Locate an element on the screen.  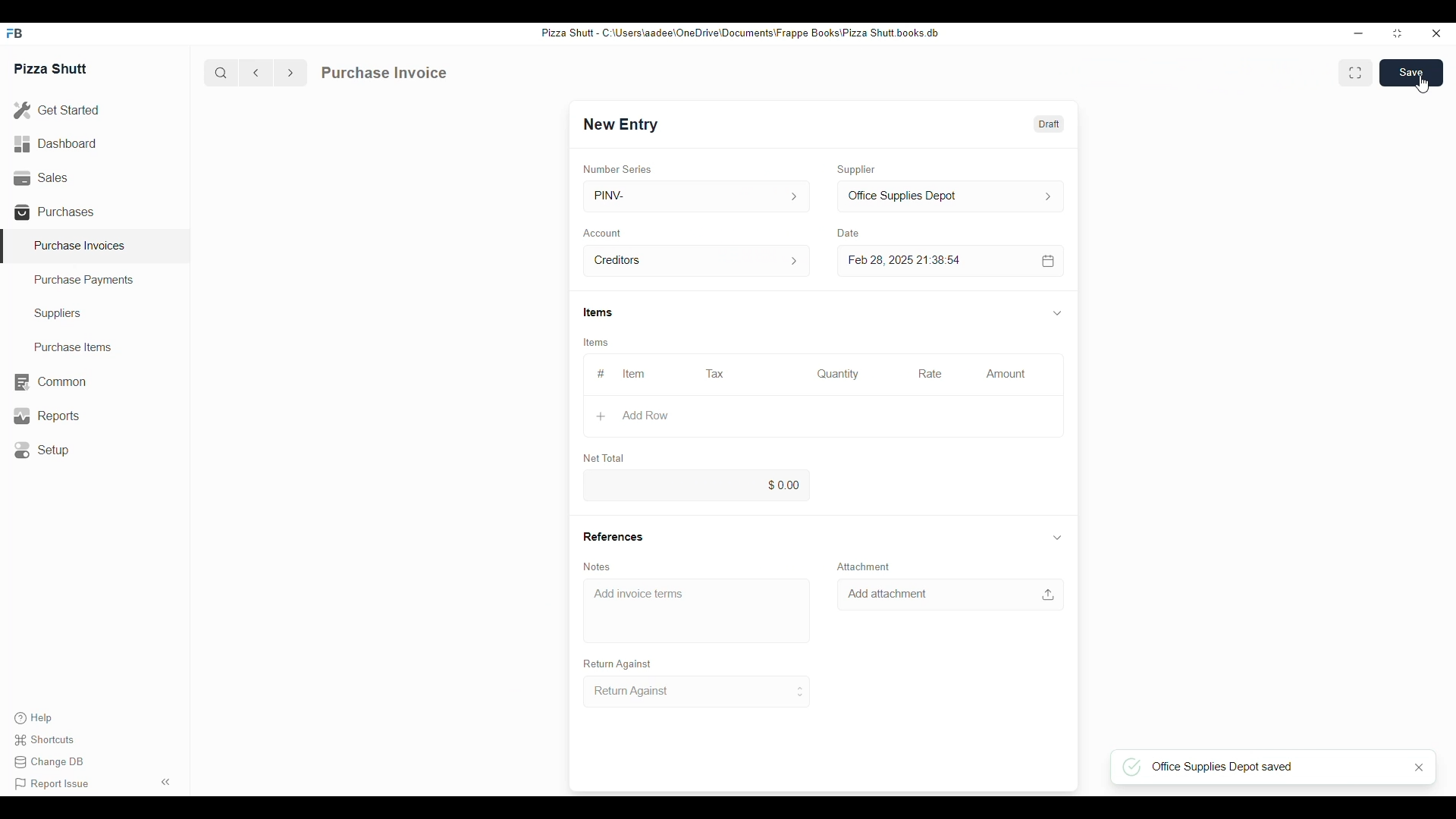
Account is located at coordinates (605, 232).